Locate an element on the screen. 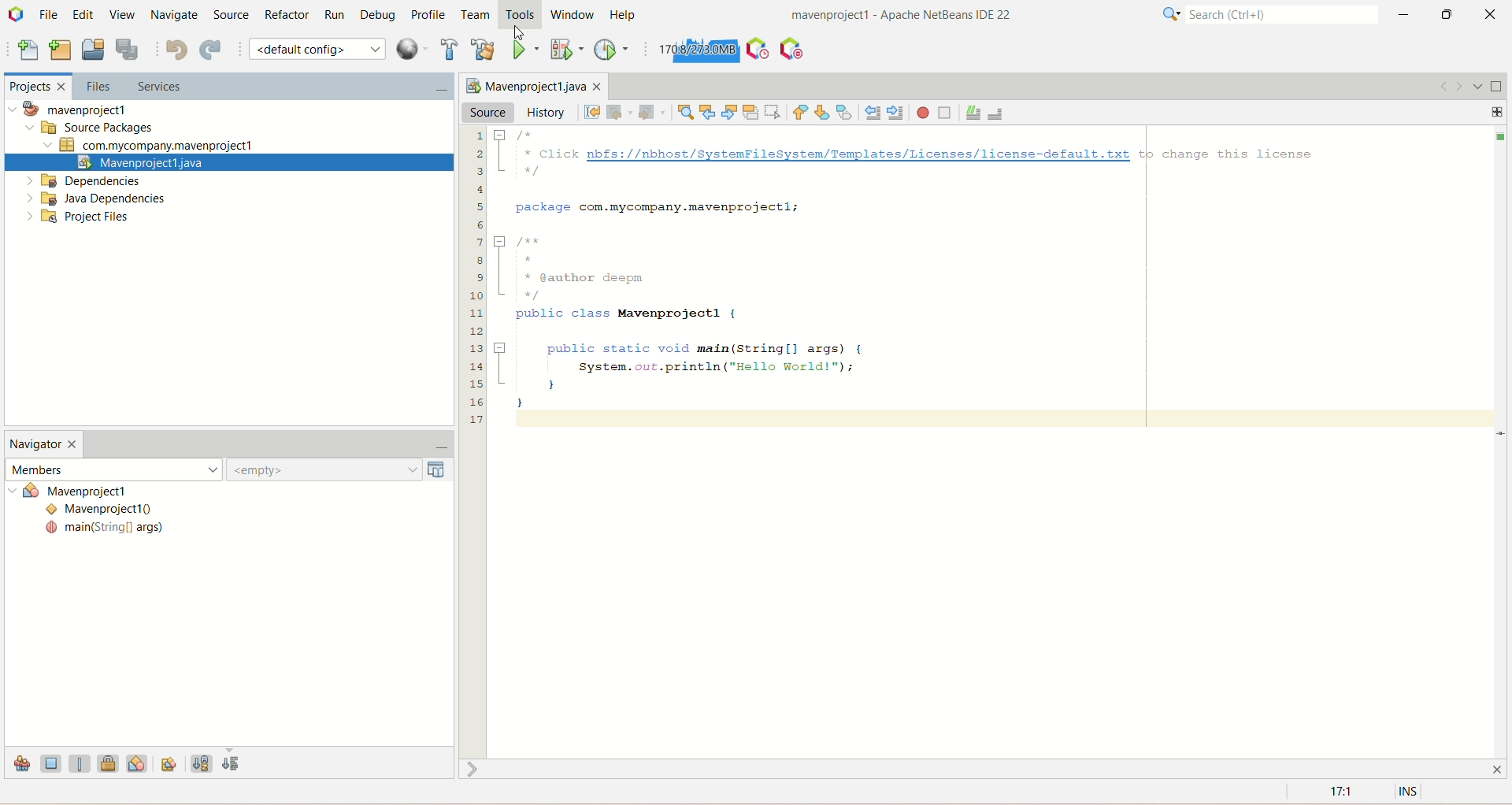 This screenshot has width=1512, height=805. pause is located at coordinates (791, 45).